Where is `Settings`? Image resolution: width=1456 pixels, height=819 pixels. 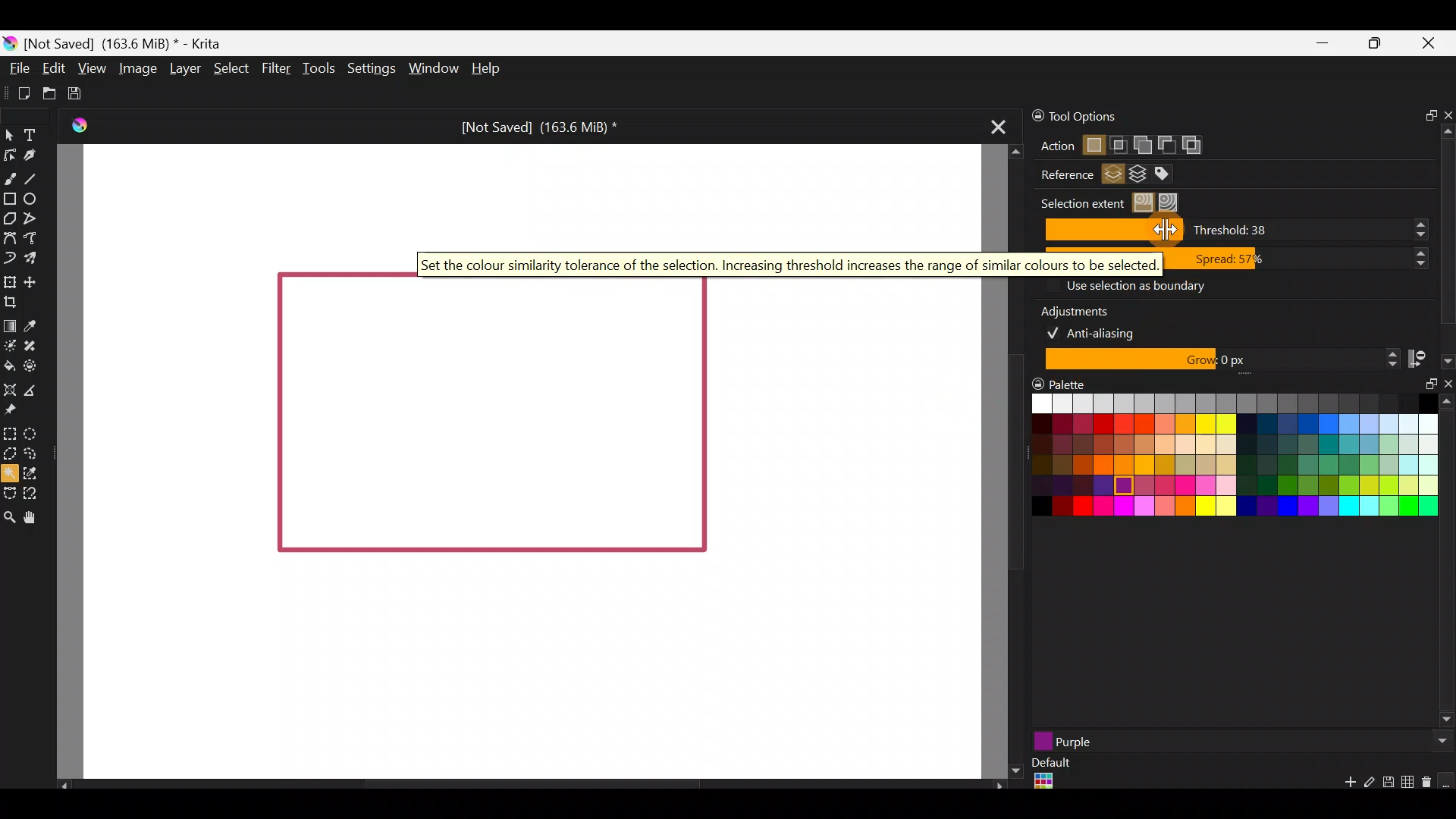
Settings is located at coordinates (369, 66).